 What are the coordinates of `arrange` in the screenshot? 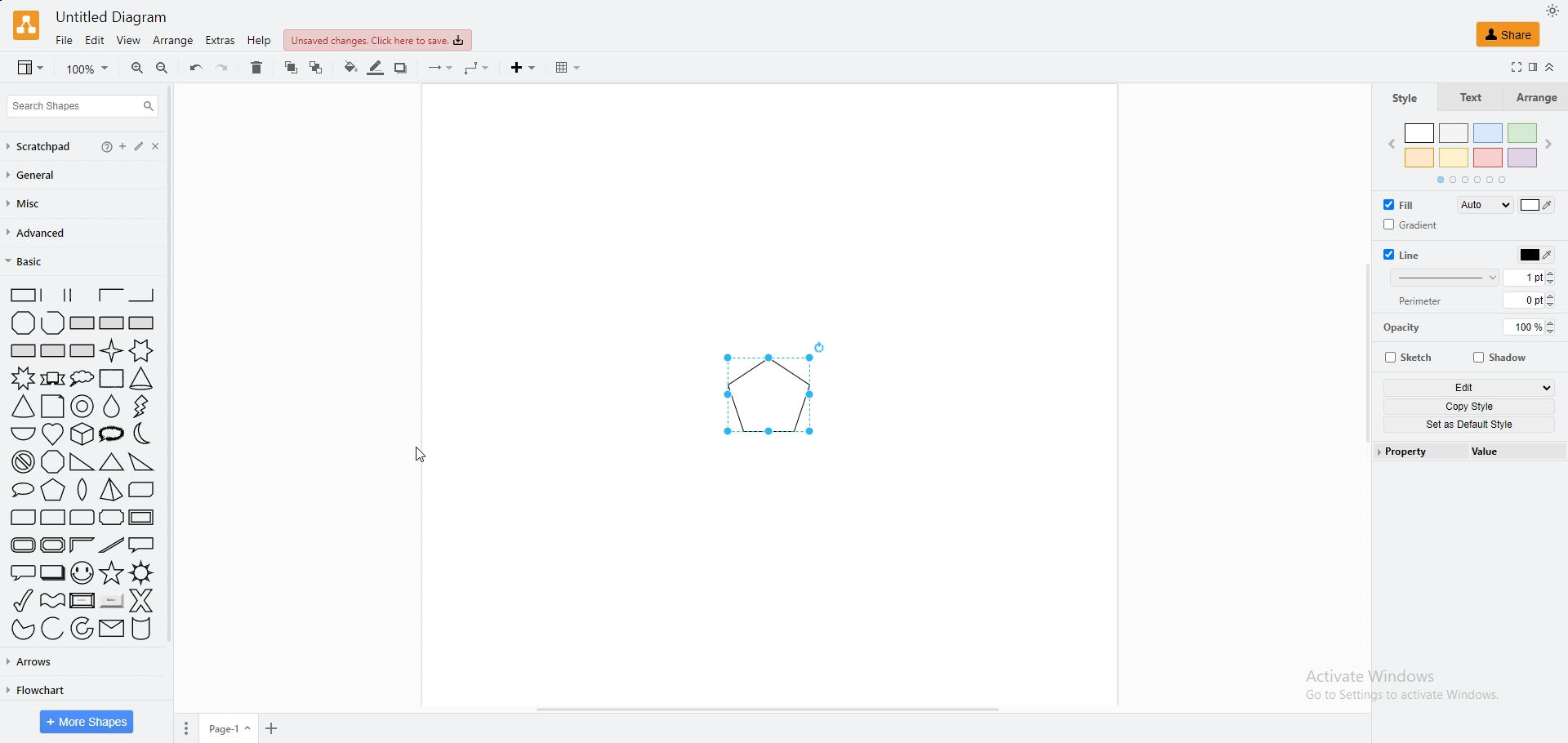 It's located at (1535, 98).